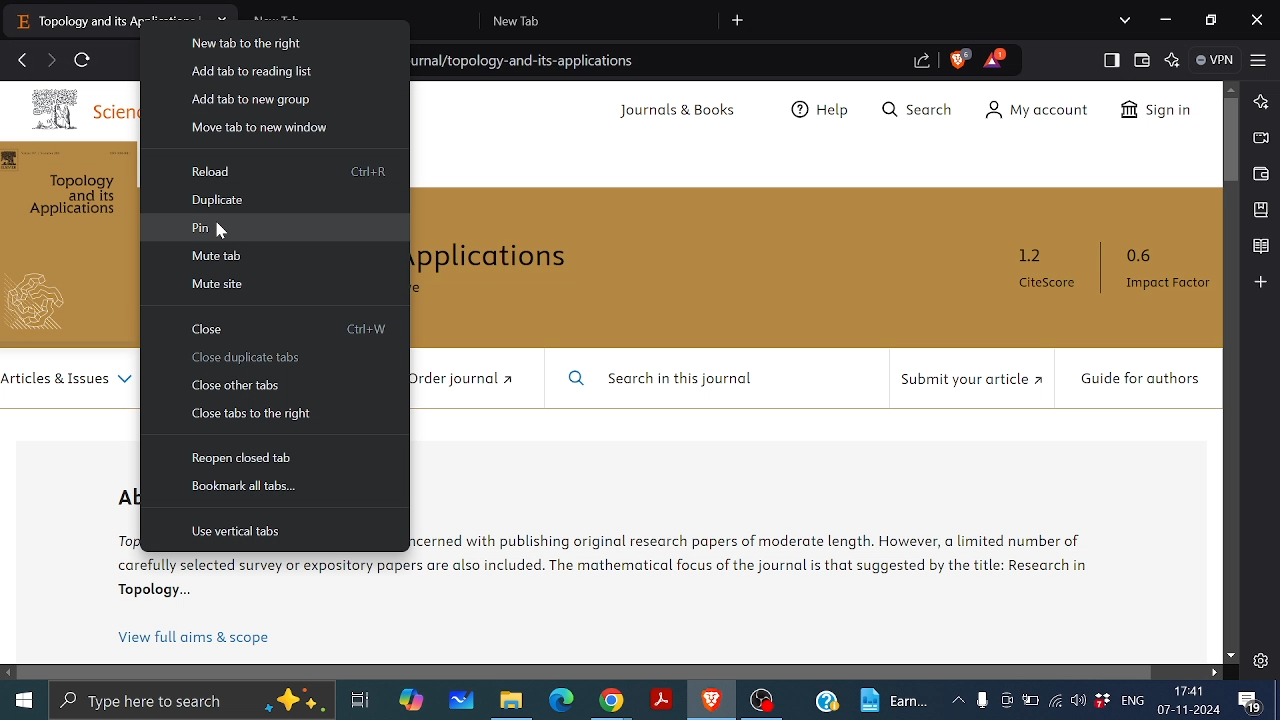  I want to click on Customize and controll brave, so click(1259, 61).